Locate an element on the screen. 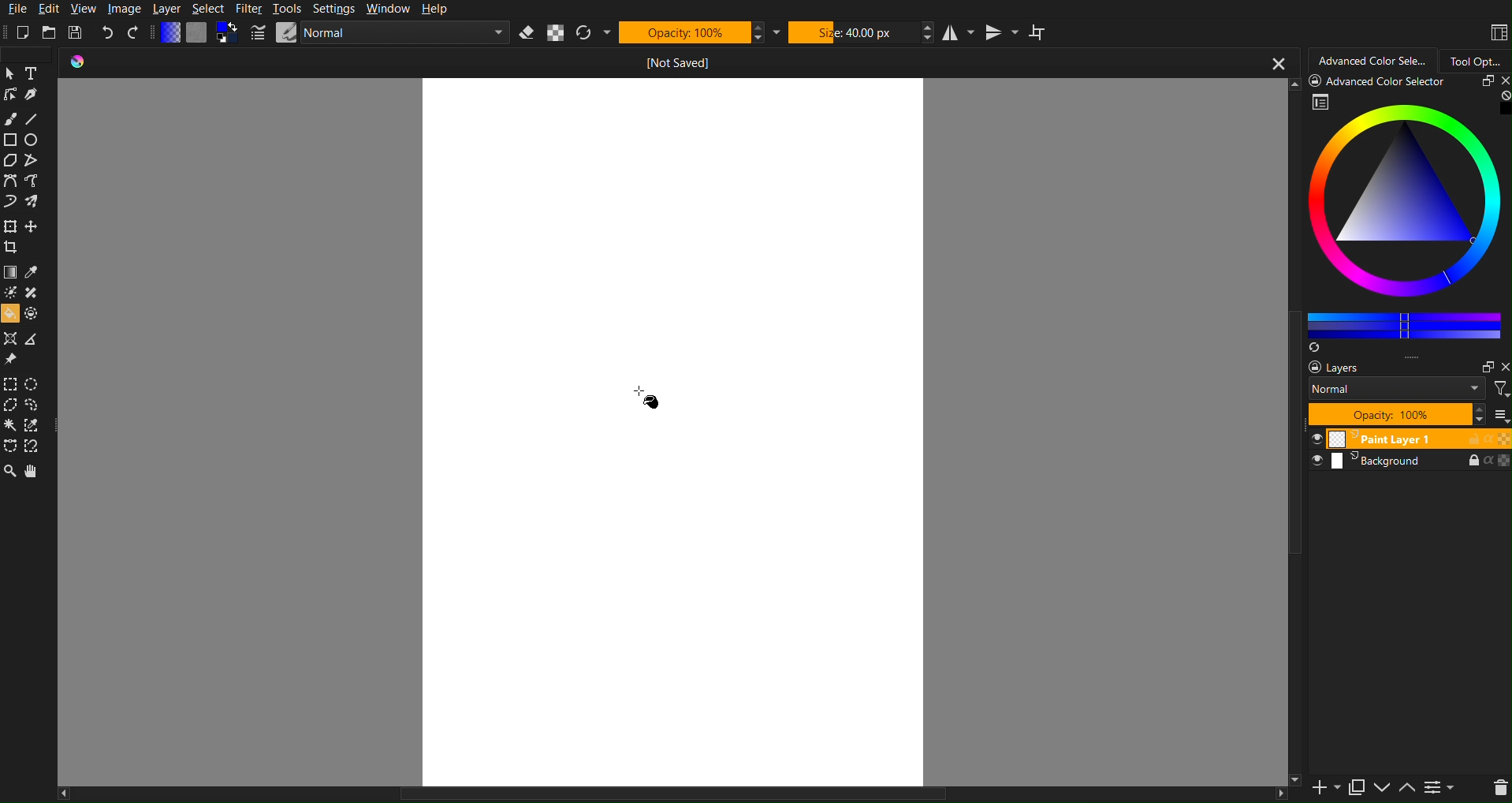 The image size is (1512, 803). color spectrum is located at coordinates (1407, 207).